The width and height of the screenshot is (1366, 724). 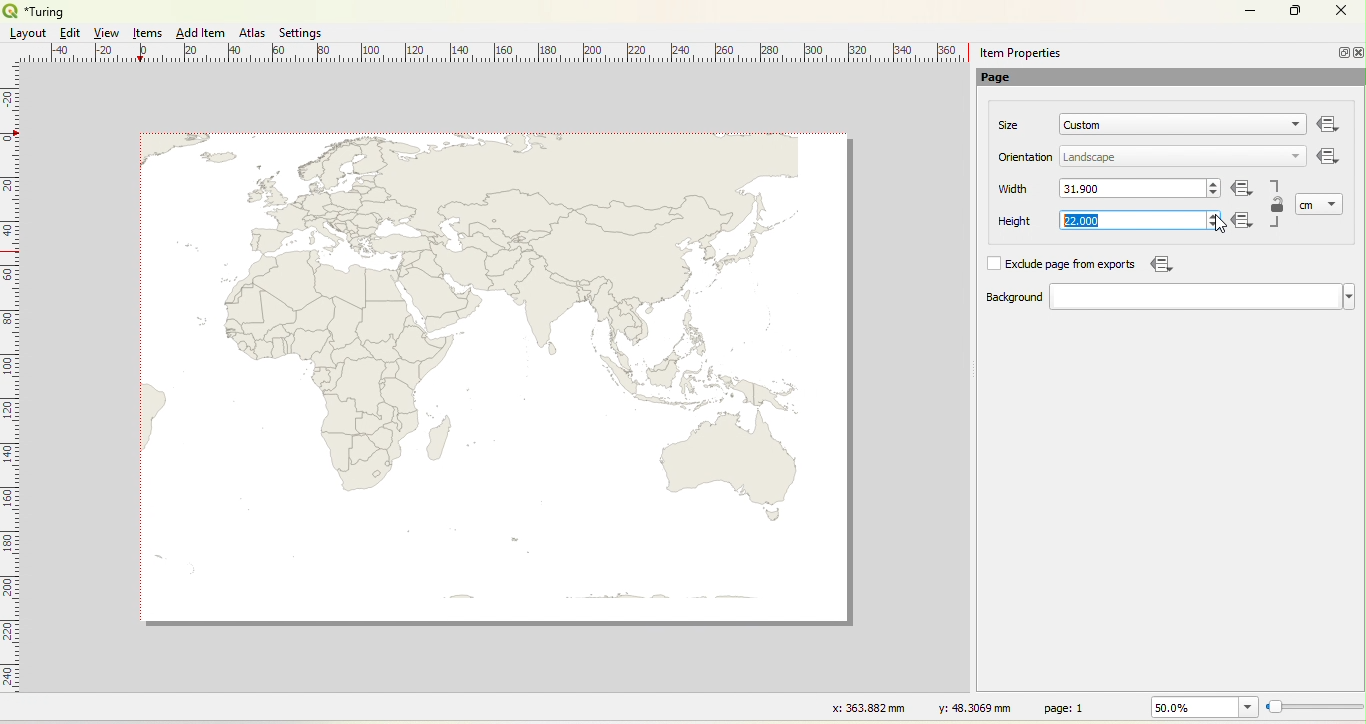 I want to click on dropdown, so click(x=1291, y=126).